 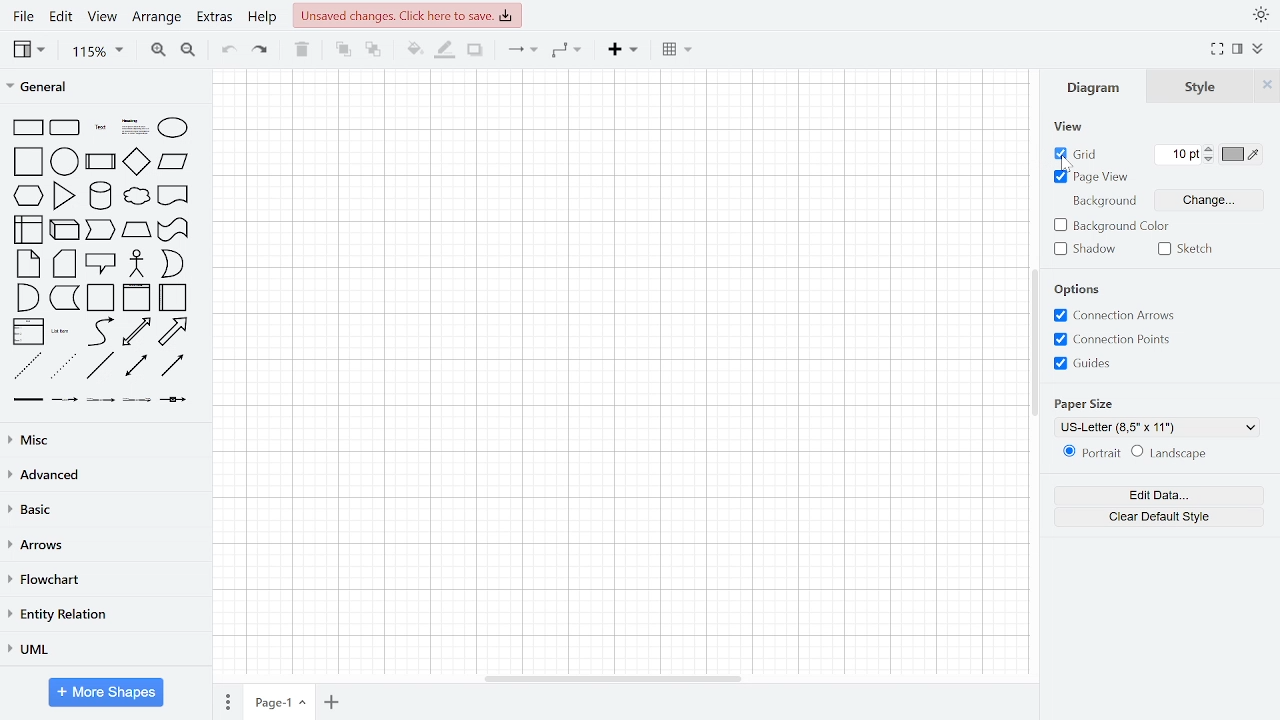 What do you see at coordinates (1261, 16) in the screenshot?
I see `appearence` at bounding box center [1261, 16].